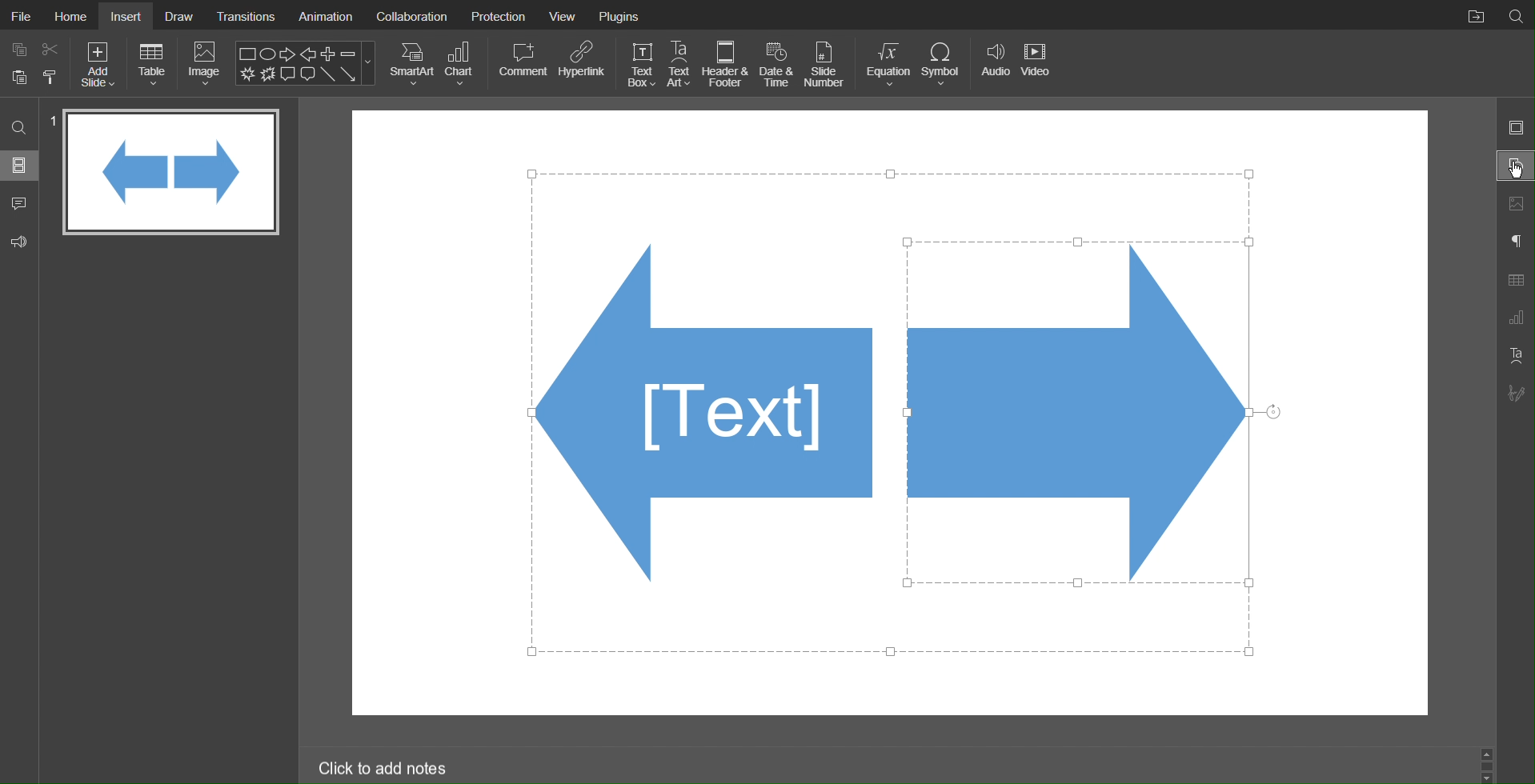 Image resolution: width=1535 pixels, height=784 pixels. Describe the element at coordinates (522, 64) in the screenshot. I see `Comment ` at that location.